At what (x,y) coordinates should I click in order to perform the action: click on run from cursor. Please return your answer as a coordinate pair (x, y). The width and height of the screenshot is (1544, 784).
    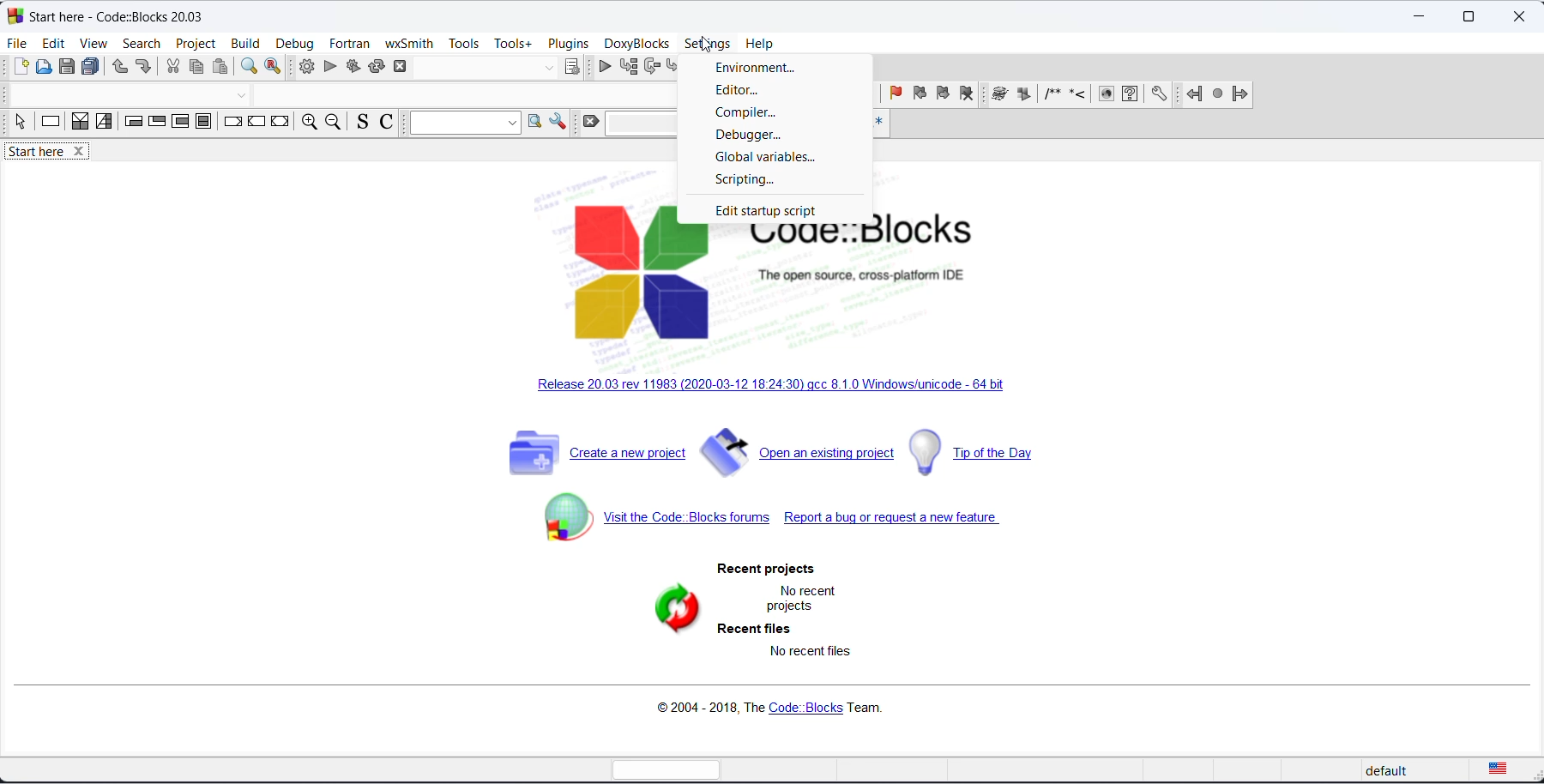
    Looking at the image, I should click on (628, 67).